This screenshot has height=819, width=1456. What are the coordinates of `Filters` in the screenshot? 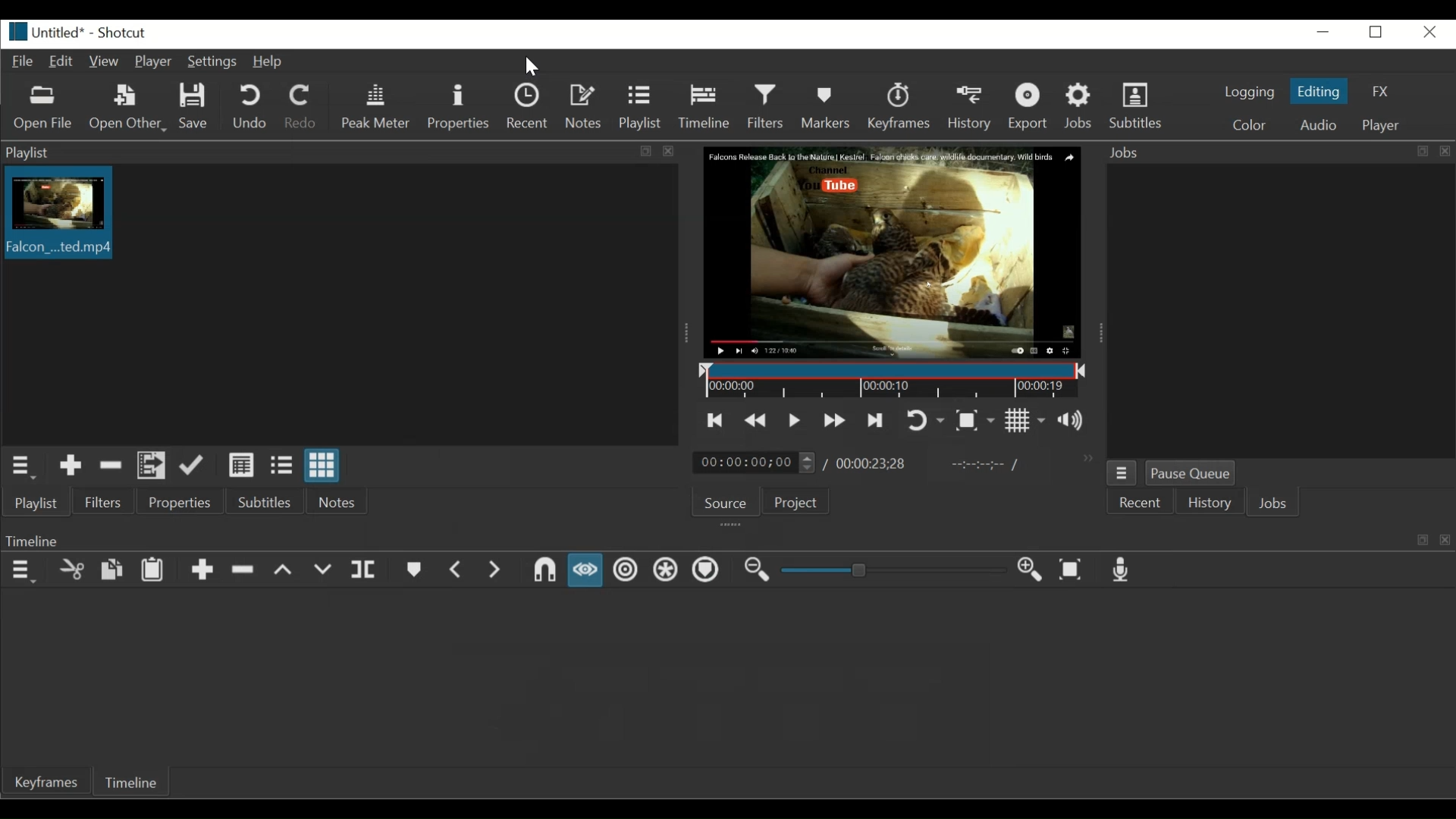 It's located at (768, 105).